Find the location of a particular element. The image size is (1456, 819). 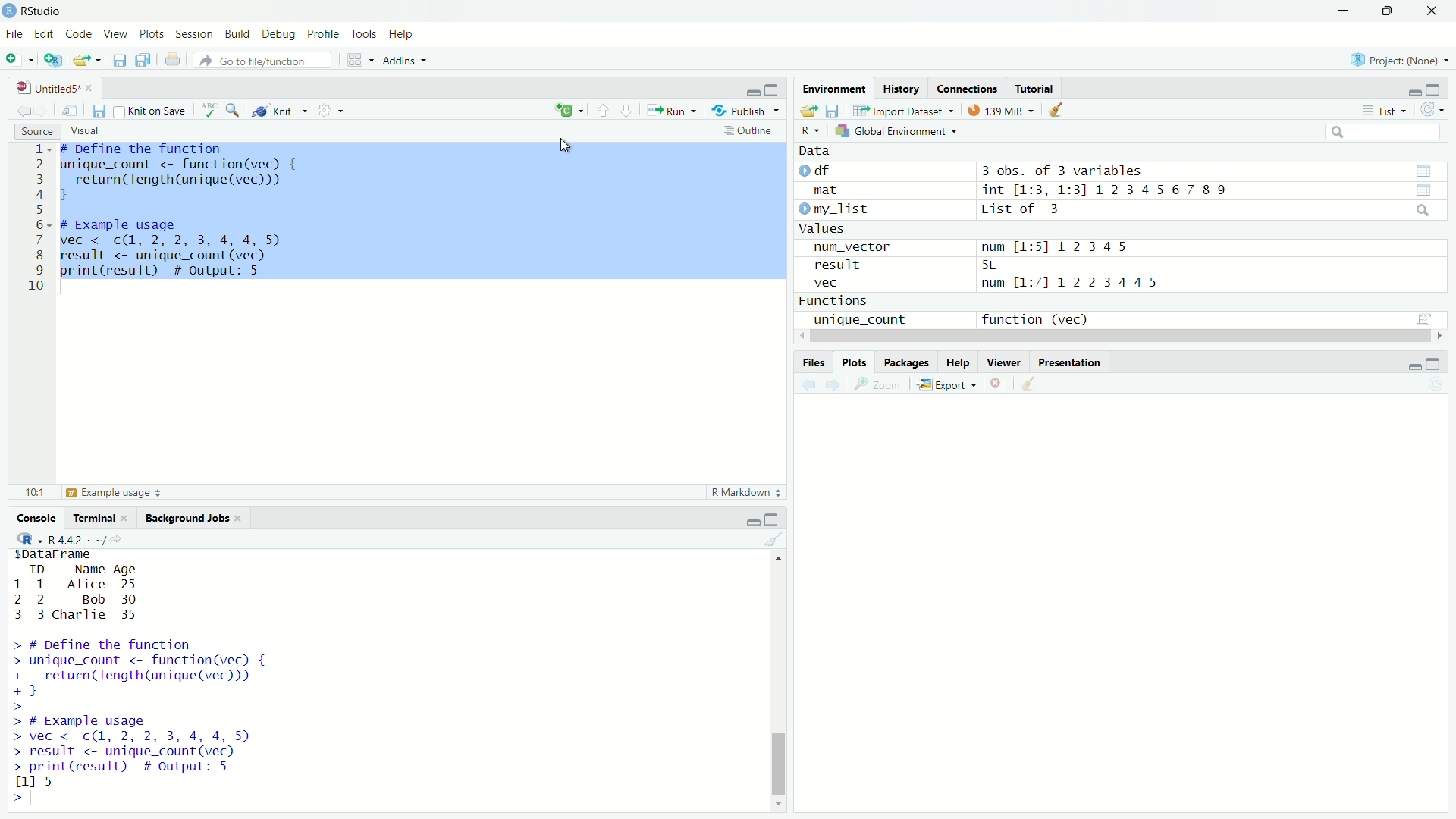

save is located at coordinates (99, 111).